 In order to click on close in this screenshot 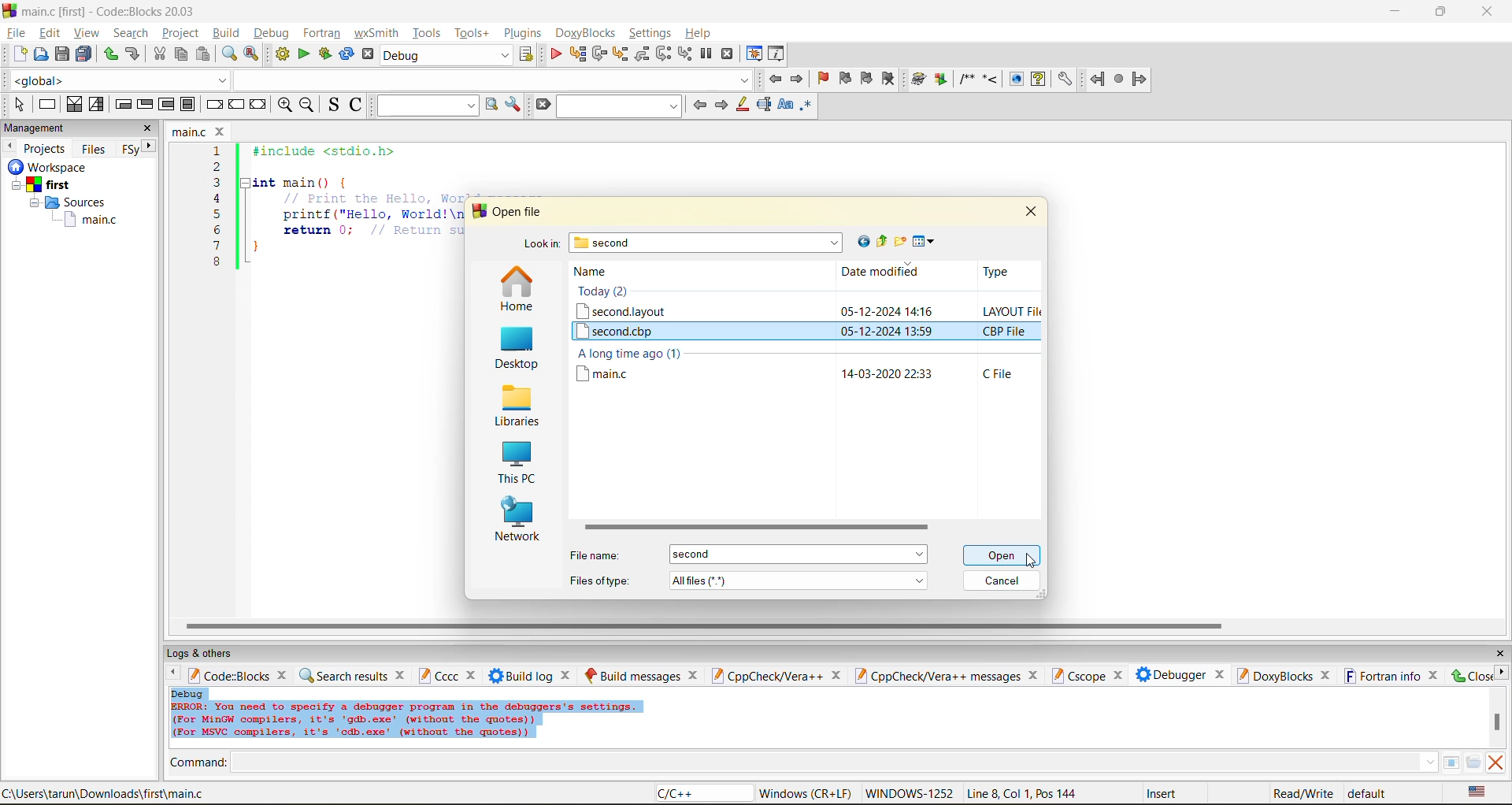, I will do `click(1499, 654)`.